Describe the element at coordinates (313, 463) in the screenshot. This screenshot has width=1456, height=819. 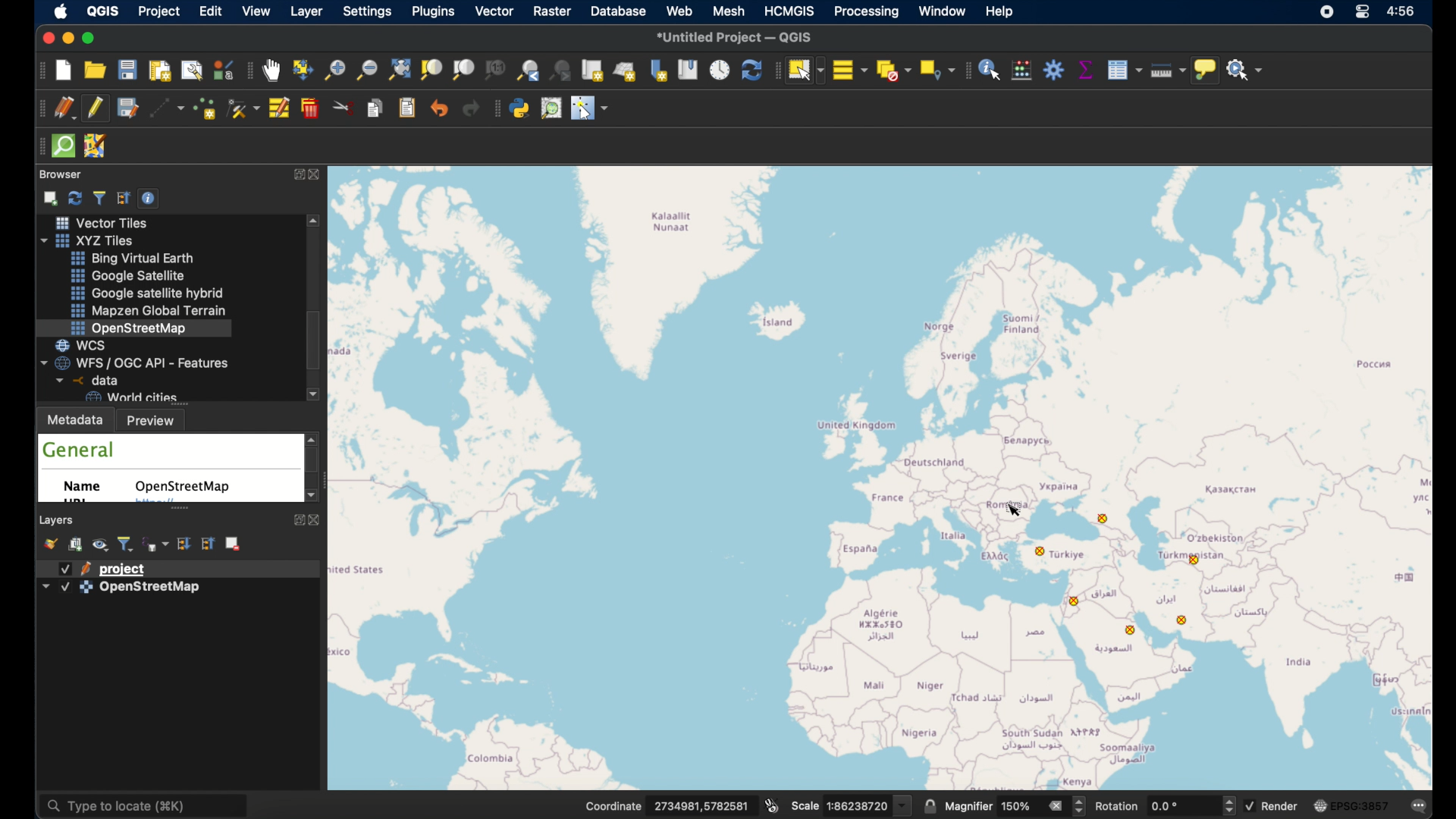
I see `scroll box` at that location.